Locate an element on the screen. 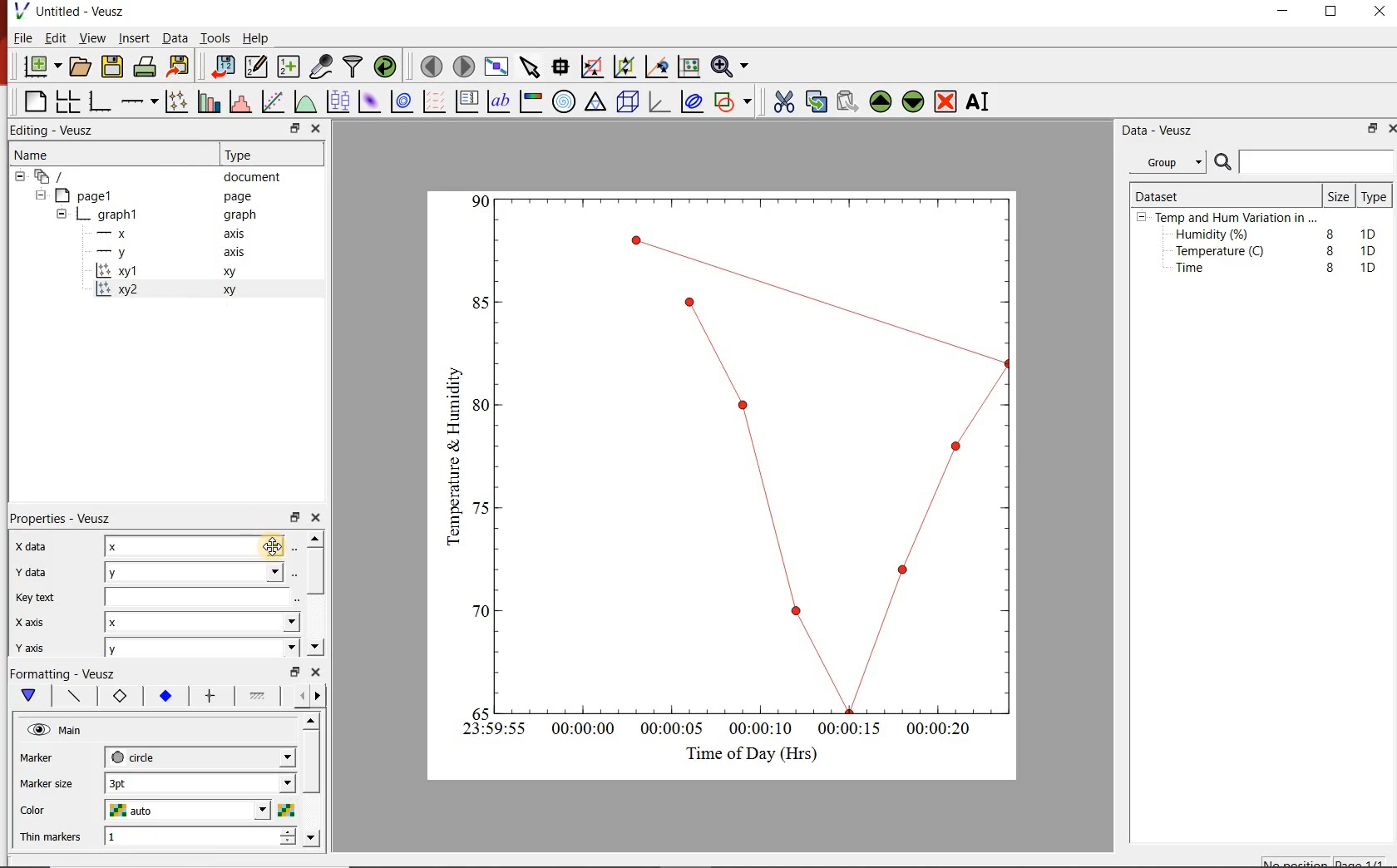  Select color is located at coordinates (287, 811).